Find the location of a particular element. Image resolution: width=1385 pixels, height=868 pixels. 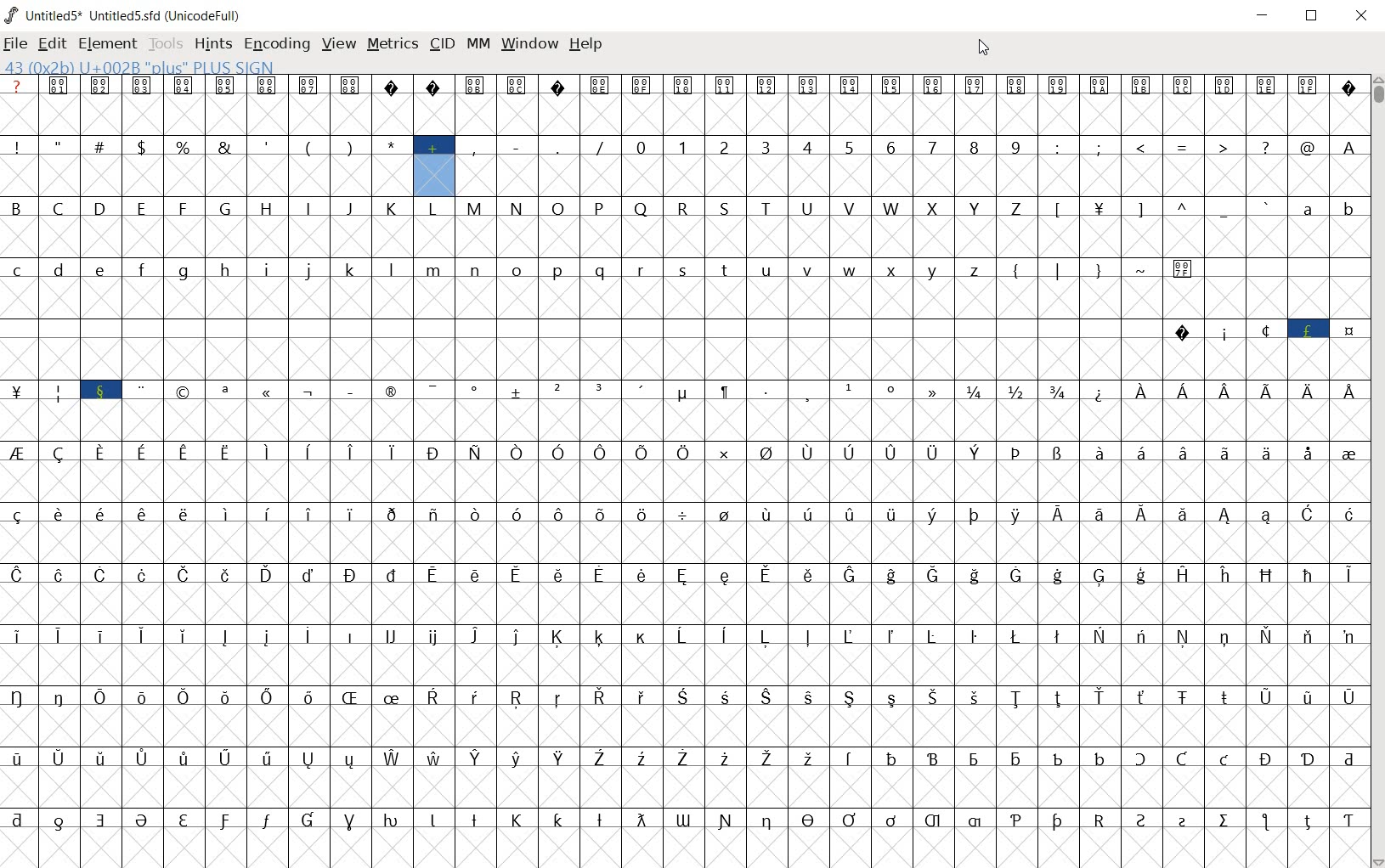

file is located at coordinates (14, 45).